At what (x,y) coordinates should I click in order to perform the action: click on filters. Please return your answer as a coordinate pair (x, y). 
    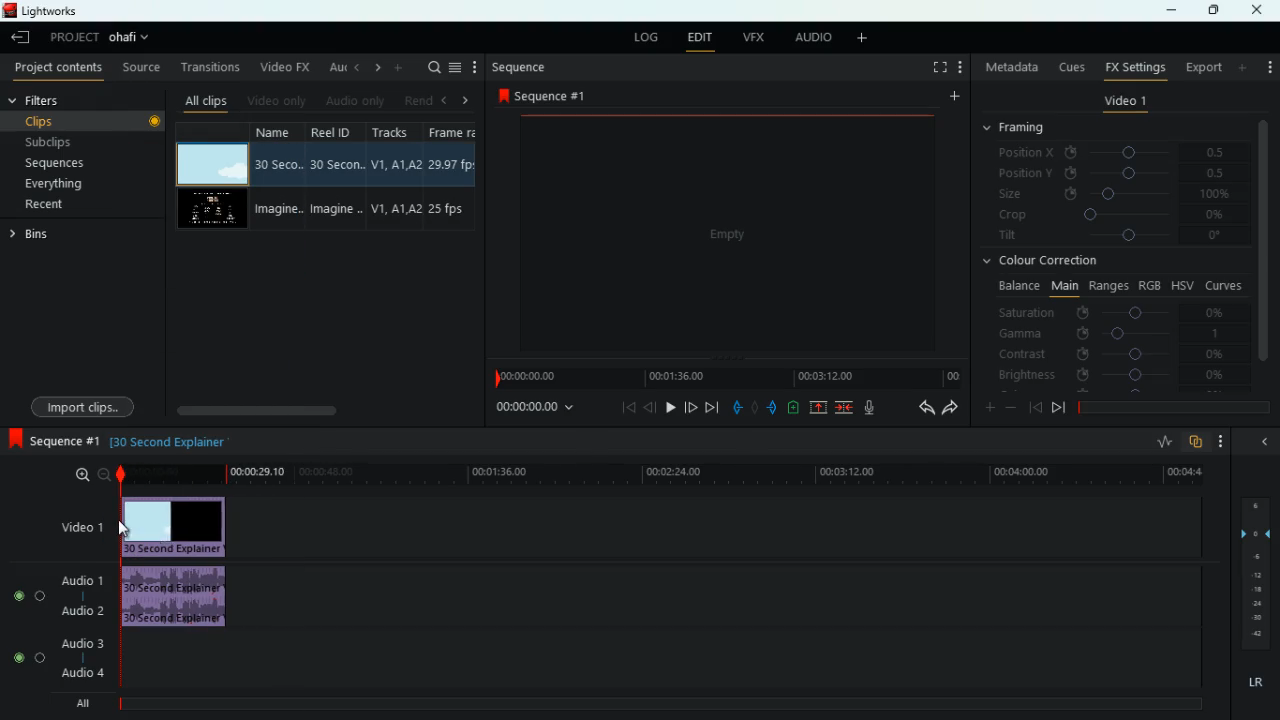
    Looking at the image, I should click on (42, 101).